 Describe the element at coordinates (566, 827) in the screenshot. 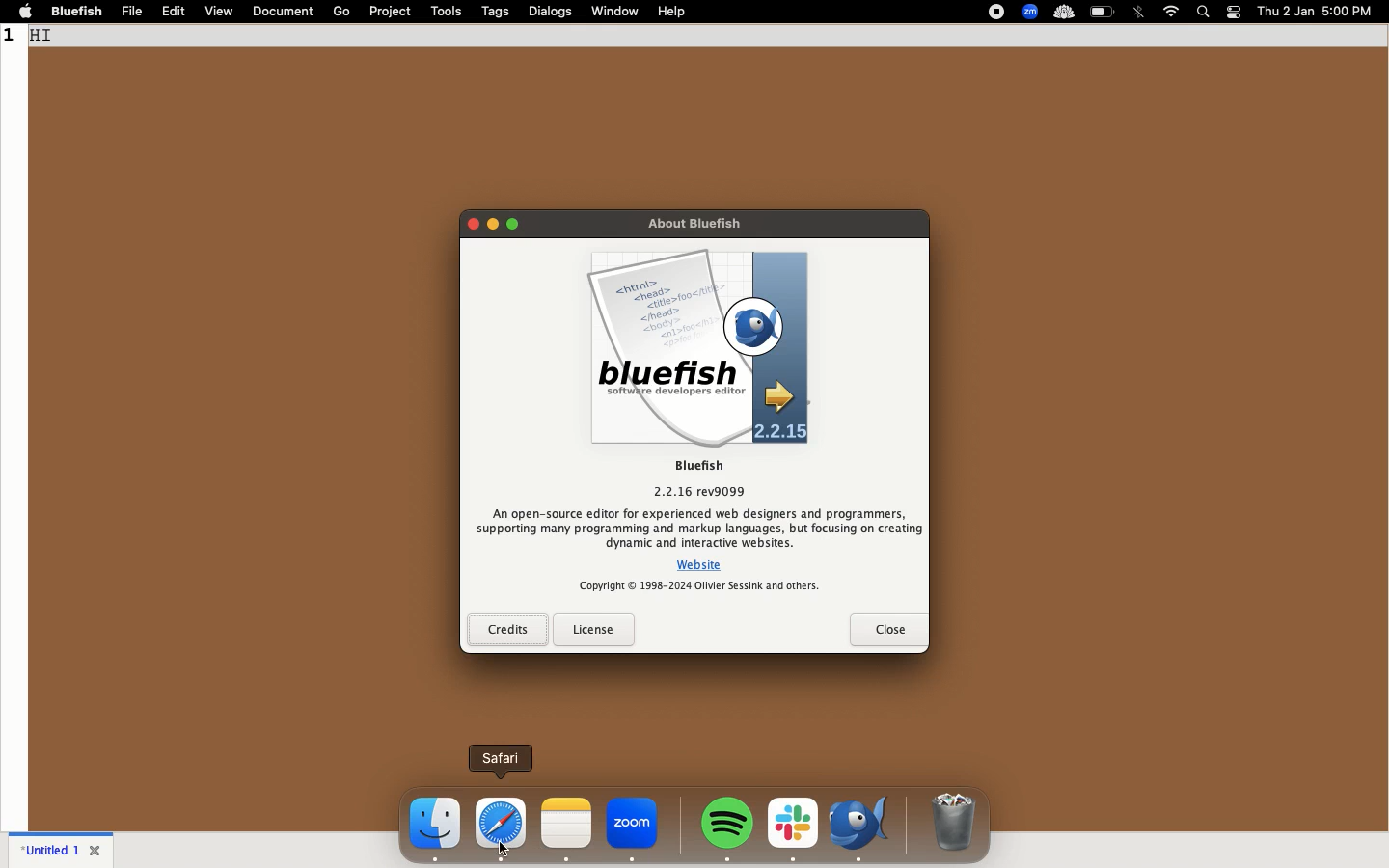

I see `notes` at that location.